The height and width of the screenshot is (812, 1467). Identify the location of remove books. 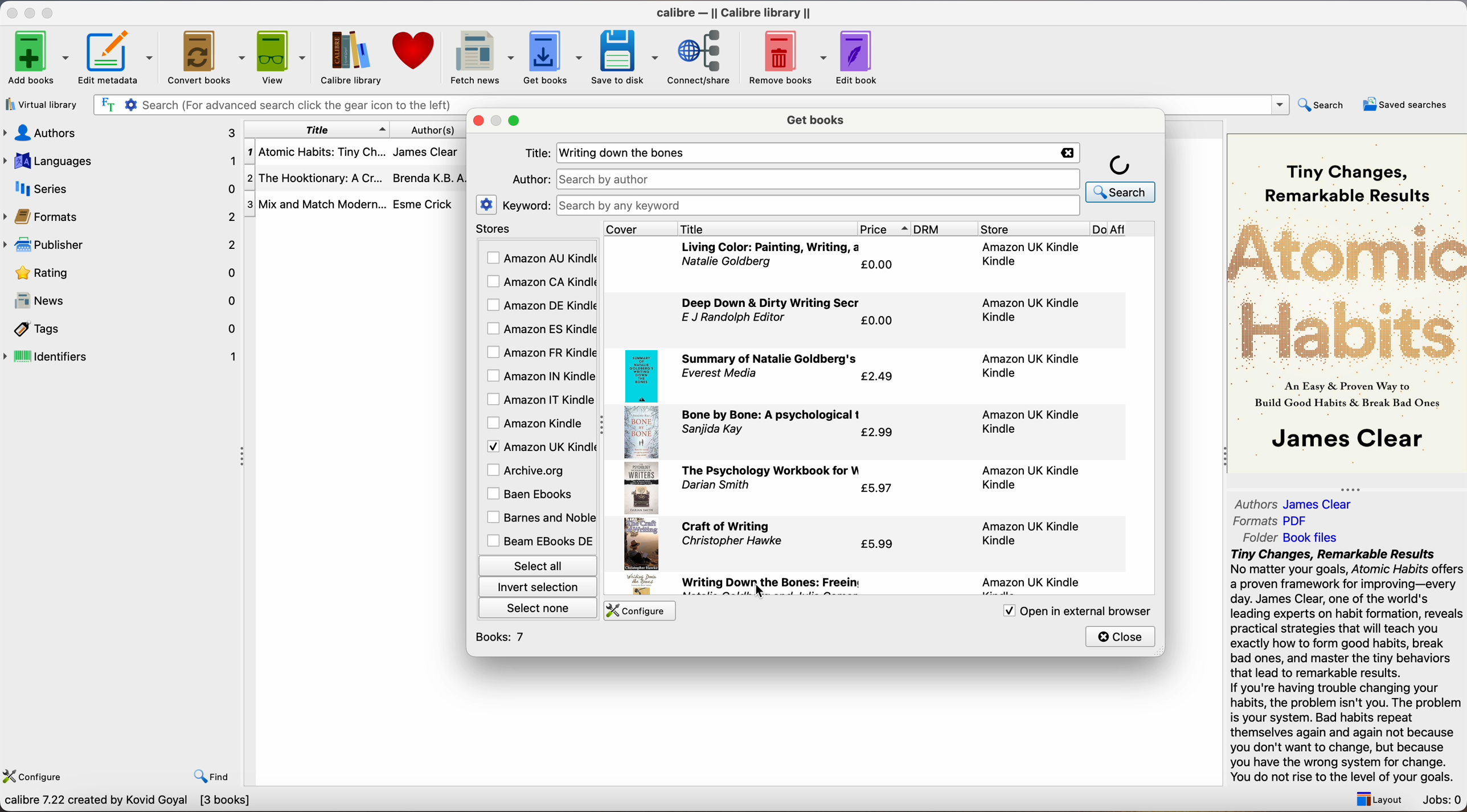
(788, 59).